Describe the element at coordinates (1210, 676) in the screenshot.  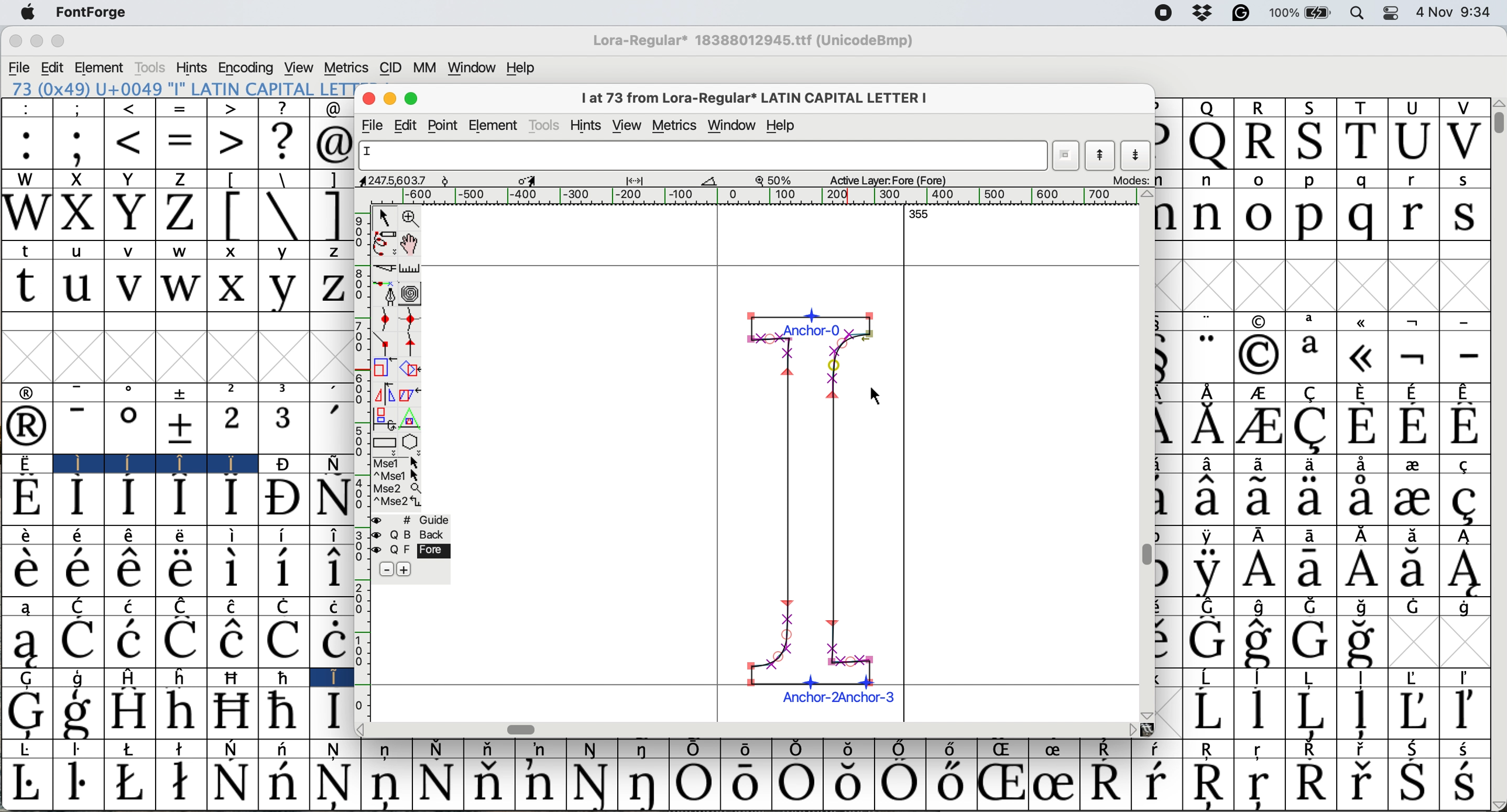
I see `Symbol` at that location.